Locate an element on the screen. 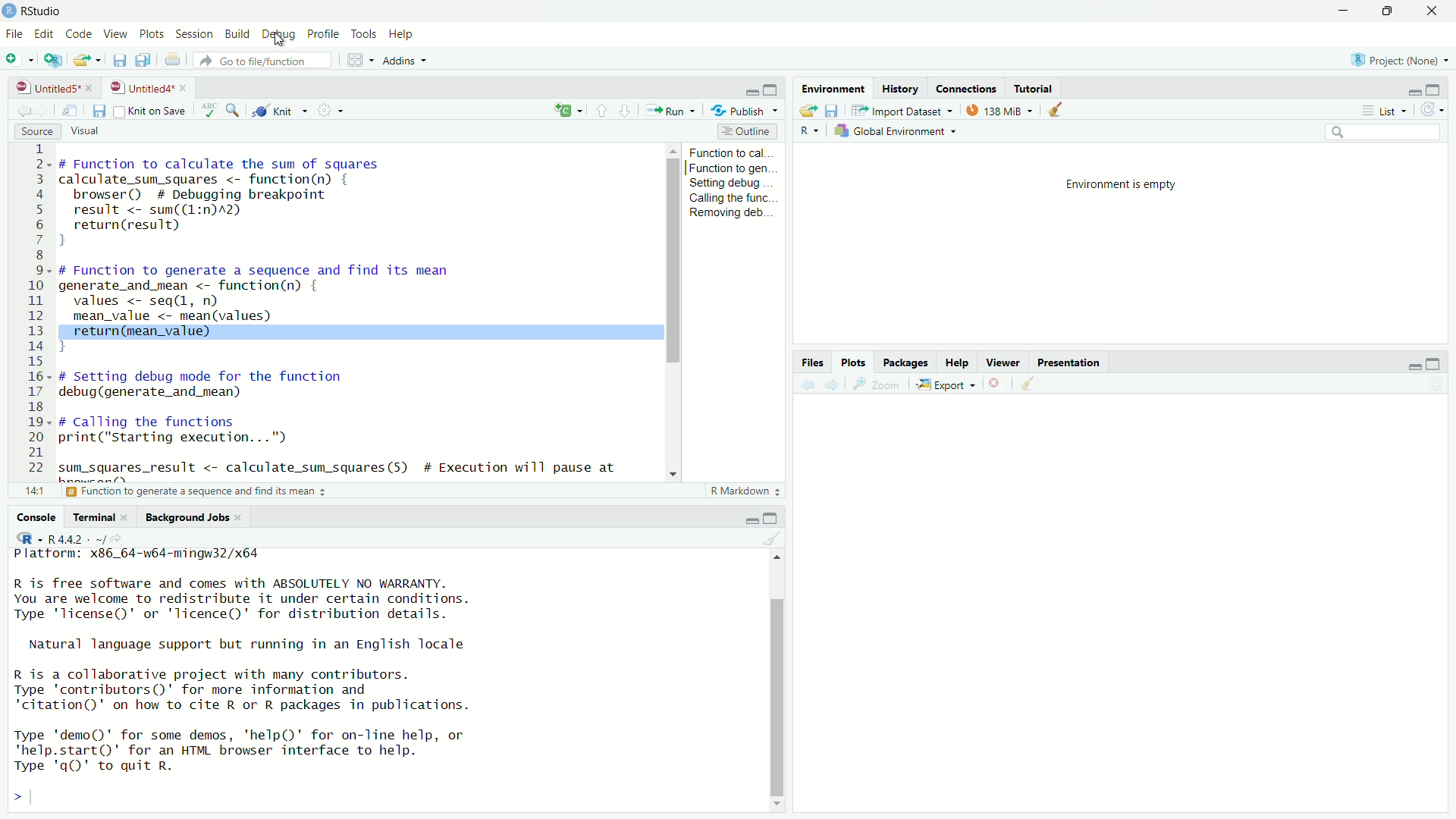 This screenshot has width=1456, height=819. maximize is located at coordinates (773, 89).